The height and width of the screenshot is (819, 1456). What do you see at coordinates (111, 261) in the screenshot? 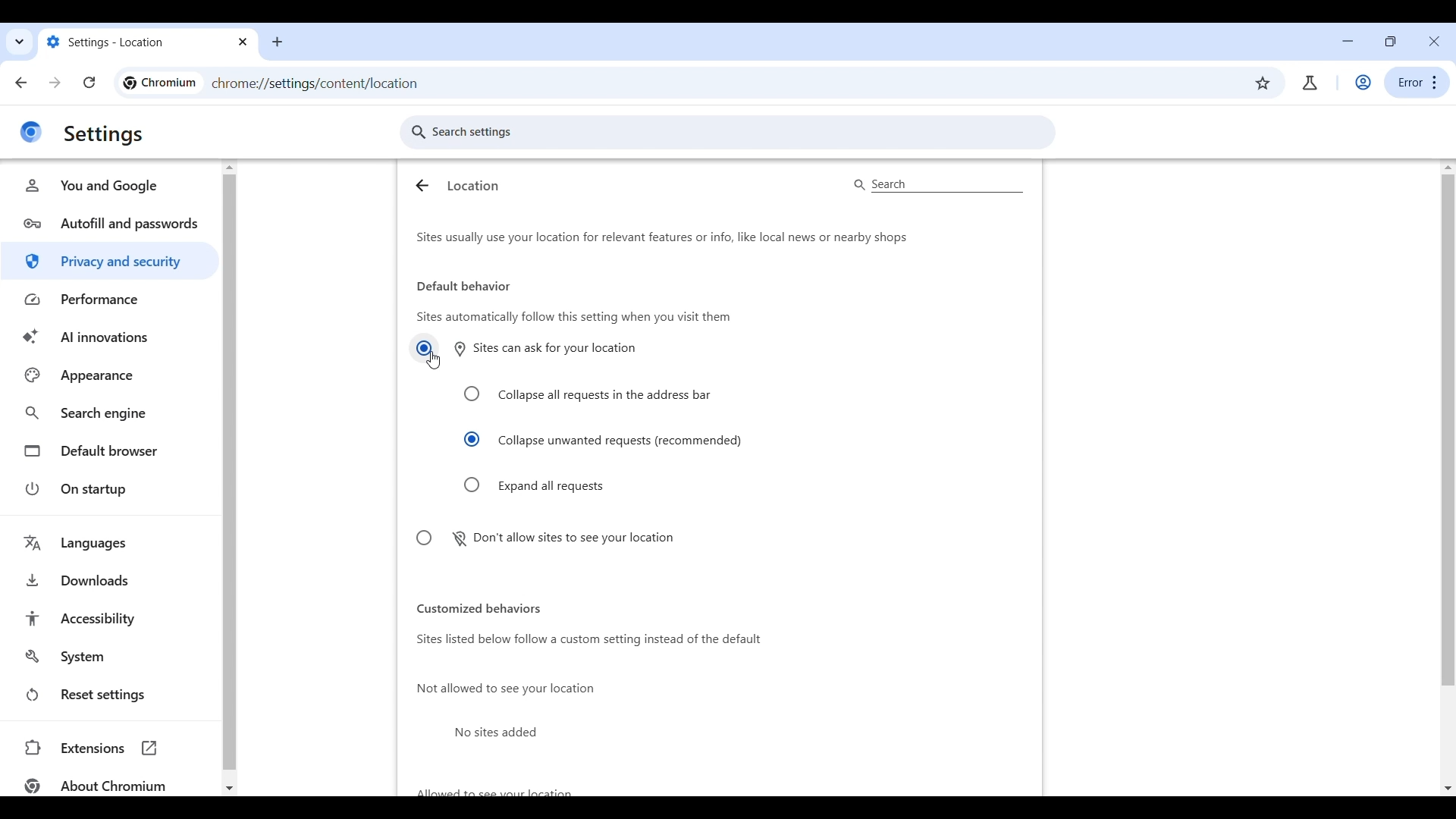
I see `Privacy and security highlighted ` at bounding box center [111, 261].